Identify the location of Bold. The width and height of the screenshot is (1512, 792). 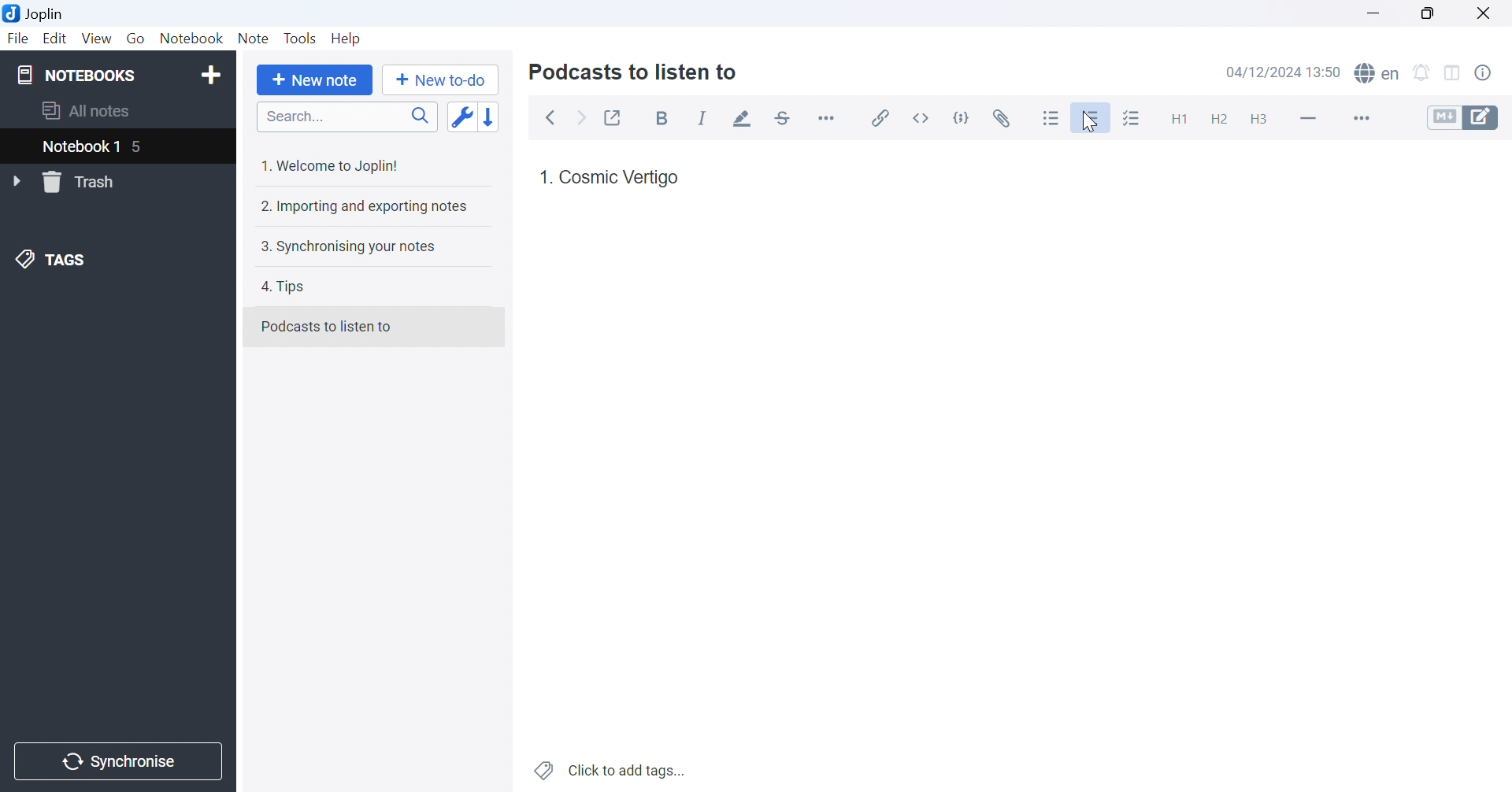
(665, 119).